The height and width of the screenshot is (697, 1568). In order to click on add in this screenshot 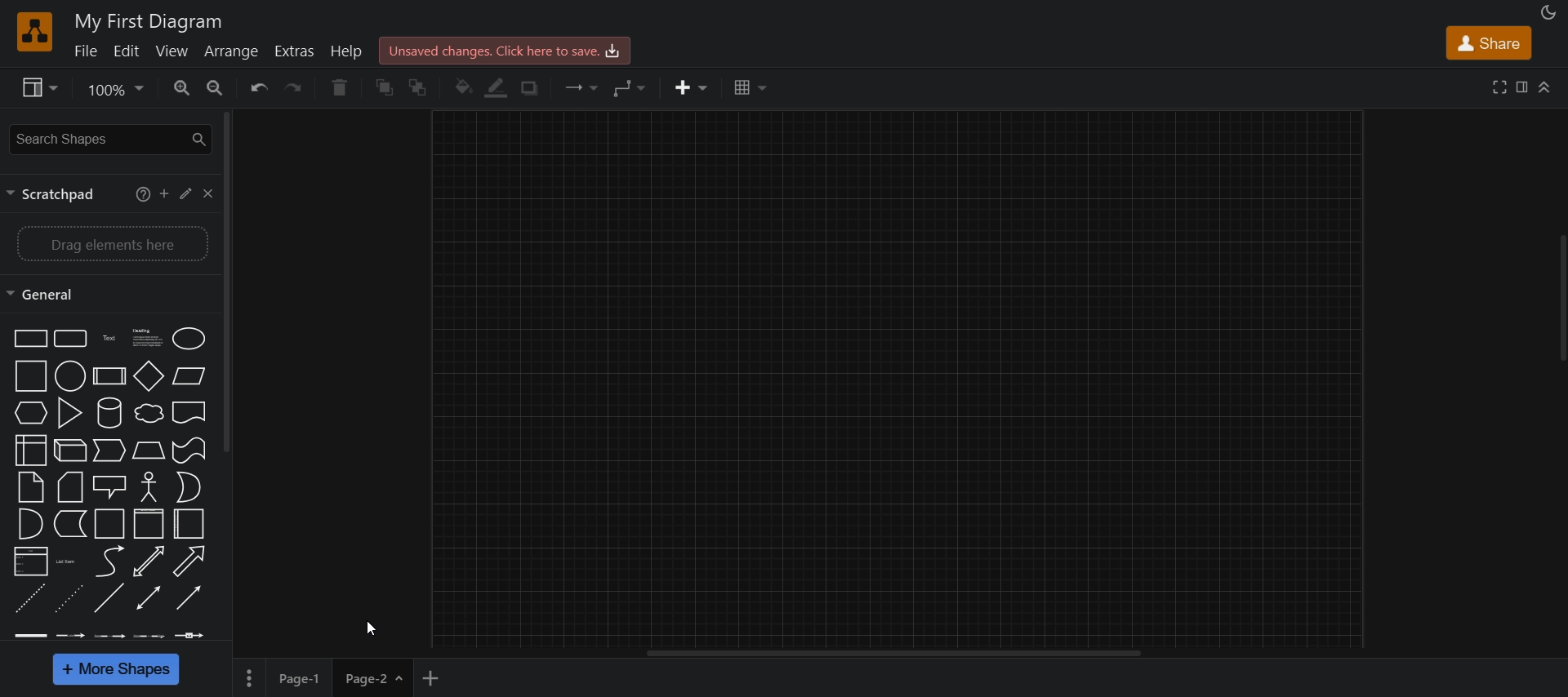, I will do `click(166, 195)`.